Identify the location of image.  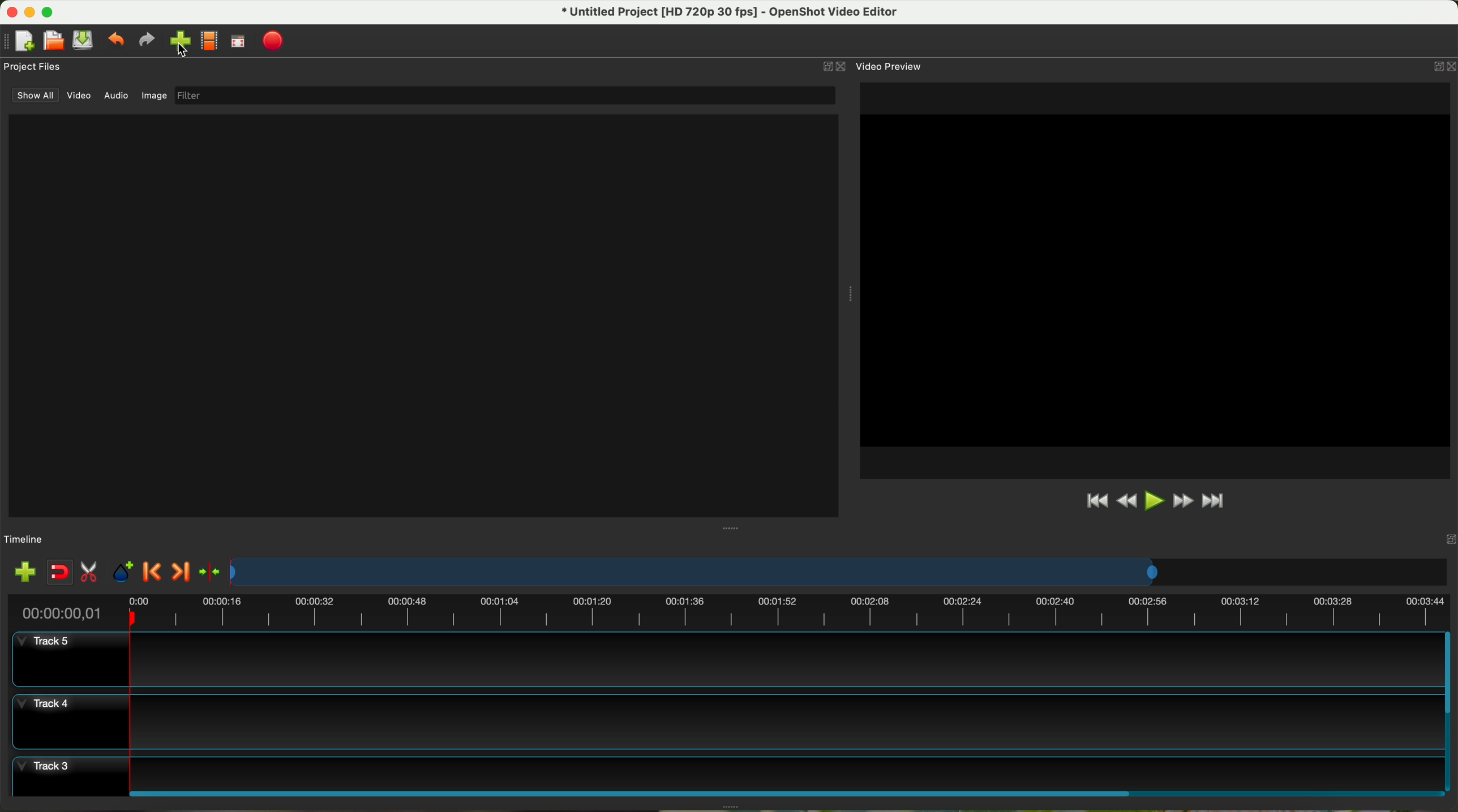
(154, 97).